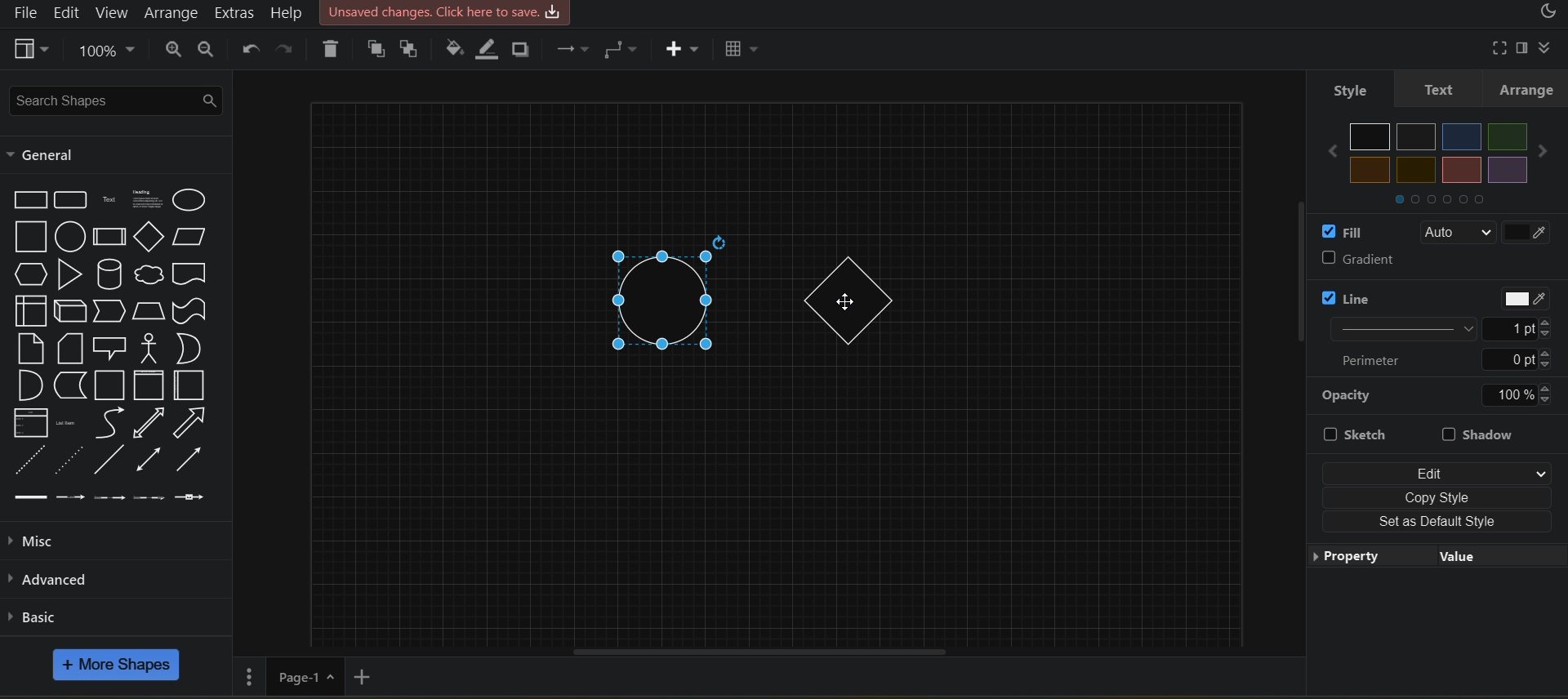  Describe the element at coordinates (1346, 88) in the screenshot. I see `style` at that location.